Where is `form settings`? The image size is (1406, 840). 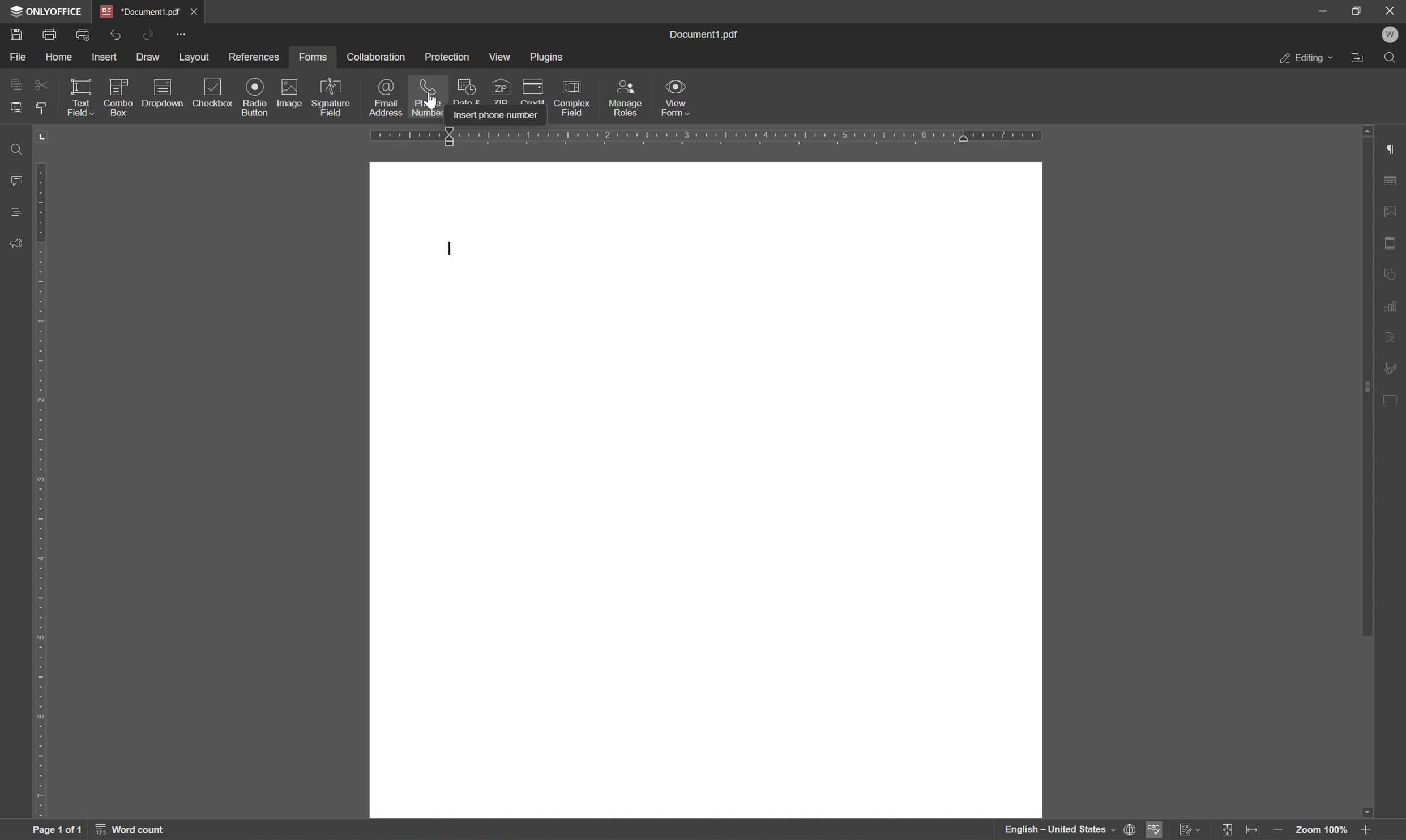 form settings is located at coordinates (1388, 400).